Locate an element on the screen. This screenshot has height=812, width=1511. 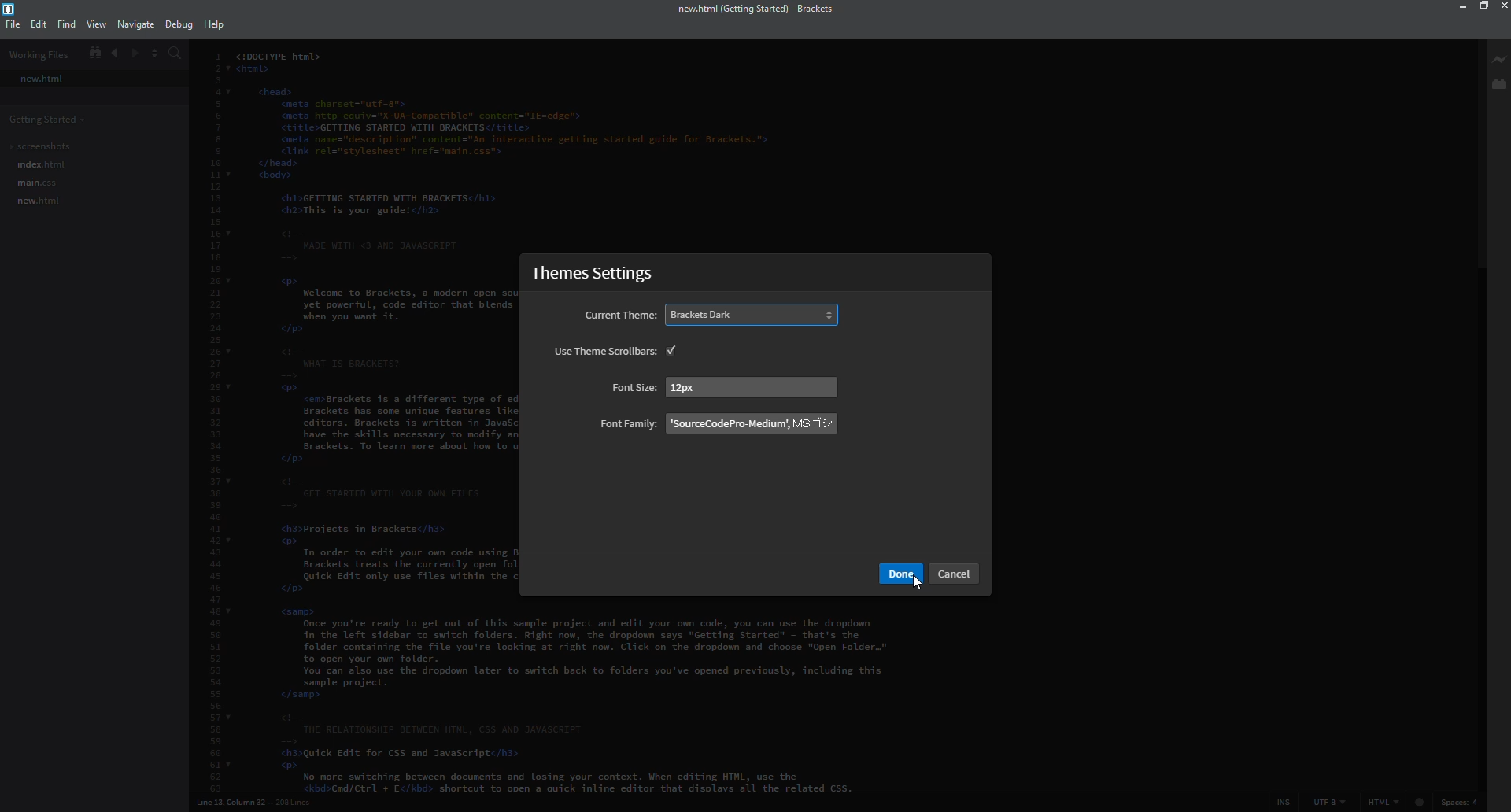
themes is located at coordinates (597, 275).